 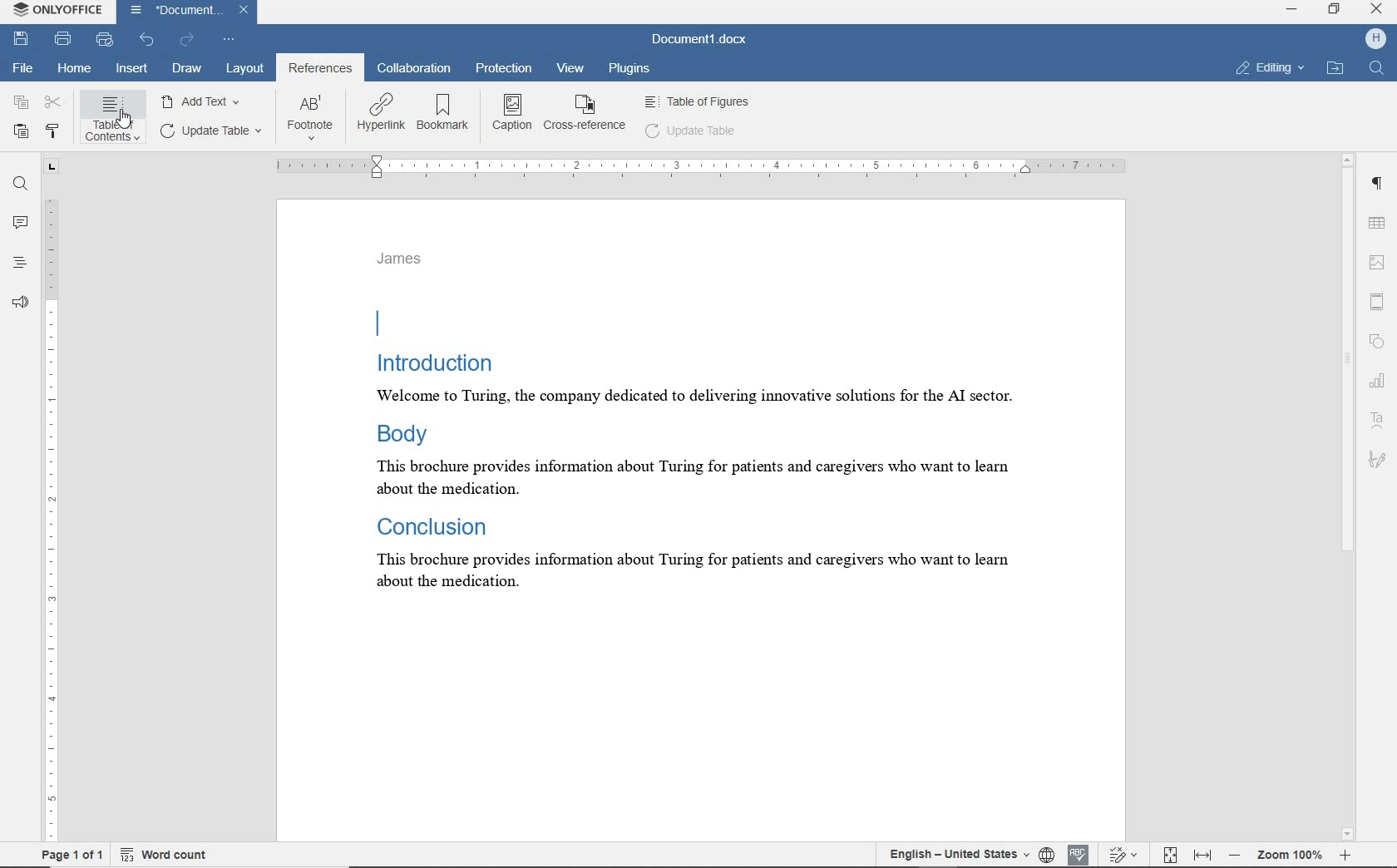 What do you see at coordinates (698, 102) in the screenshot?
I see `table of figures` at bounding box center [698, 102].